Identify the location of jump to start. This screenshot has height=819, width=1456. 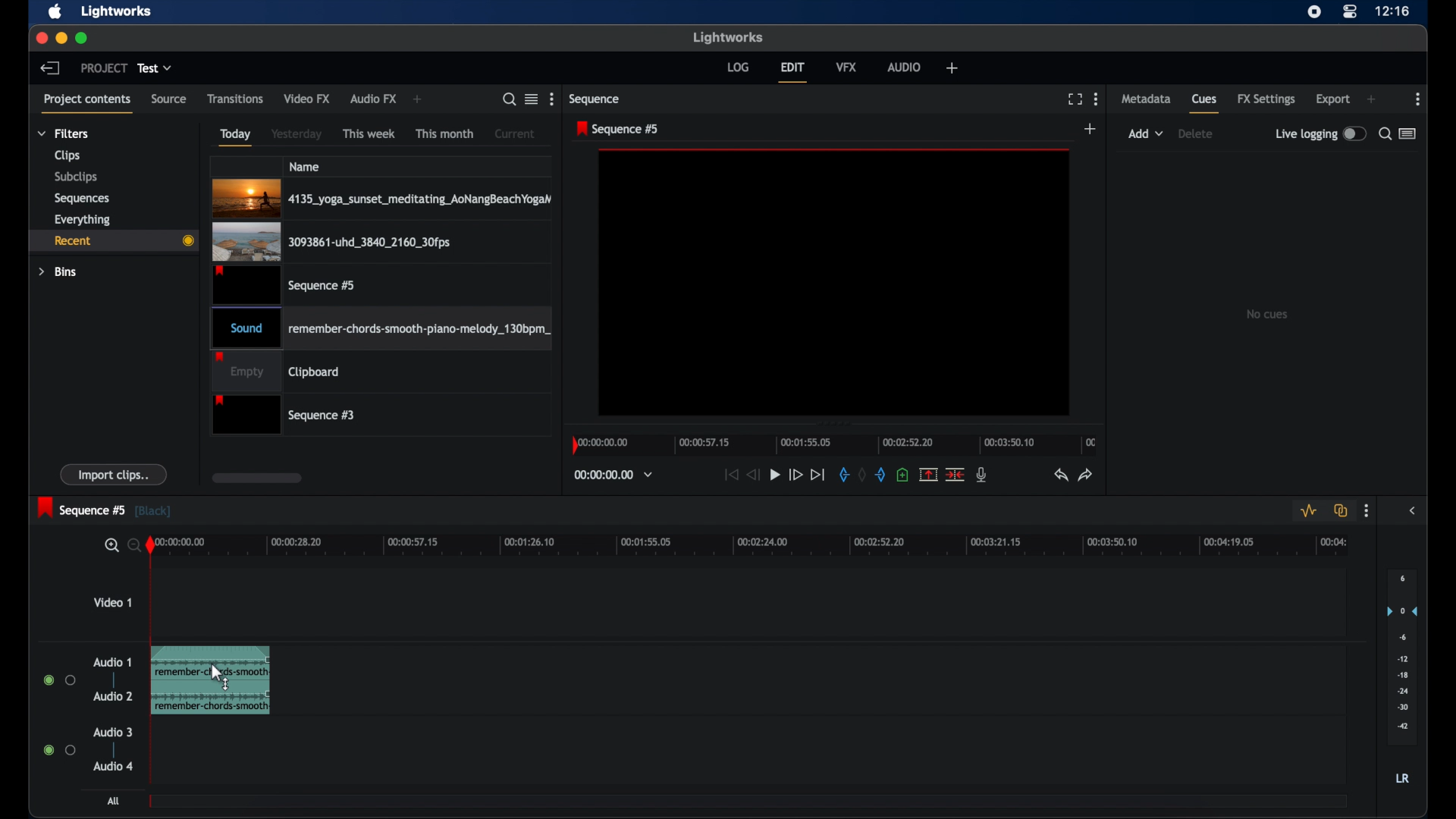
(730, 475).